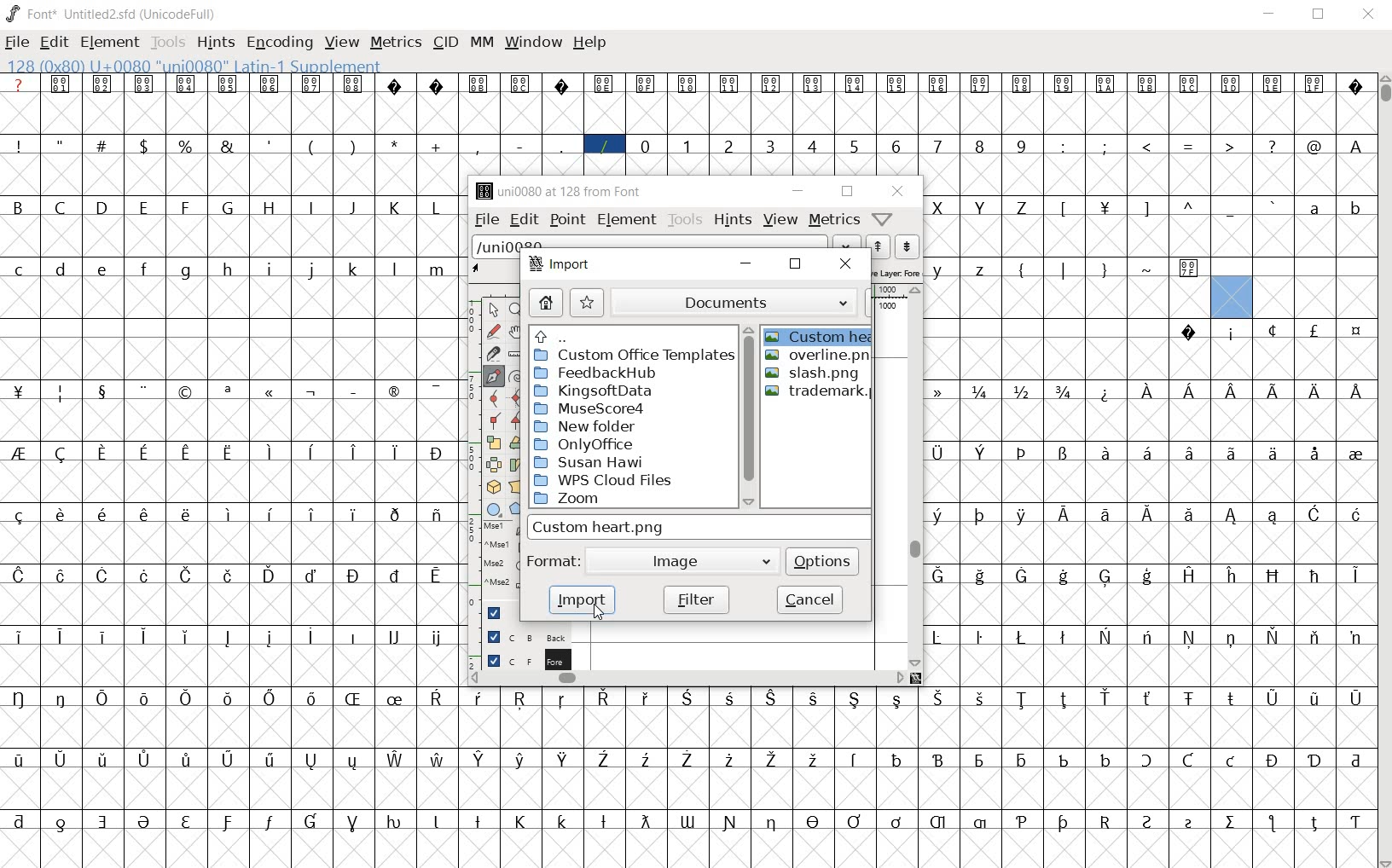 The width and height of the screenshot is (1392, 868). I want to click on glyph, so click(687, 146).